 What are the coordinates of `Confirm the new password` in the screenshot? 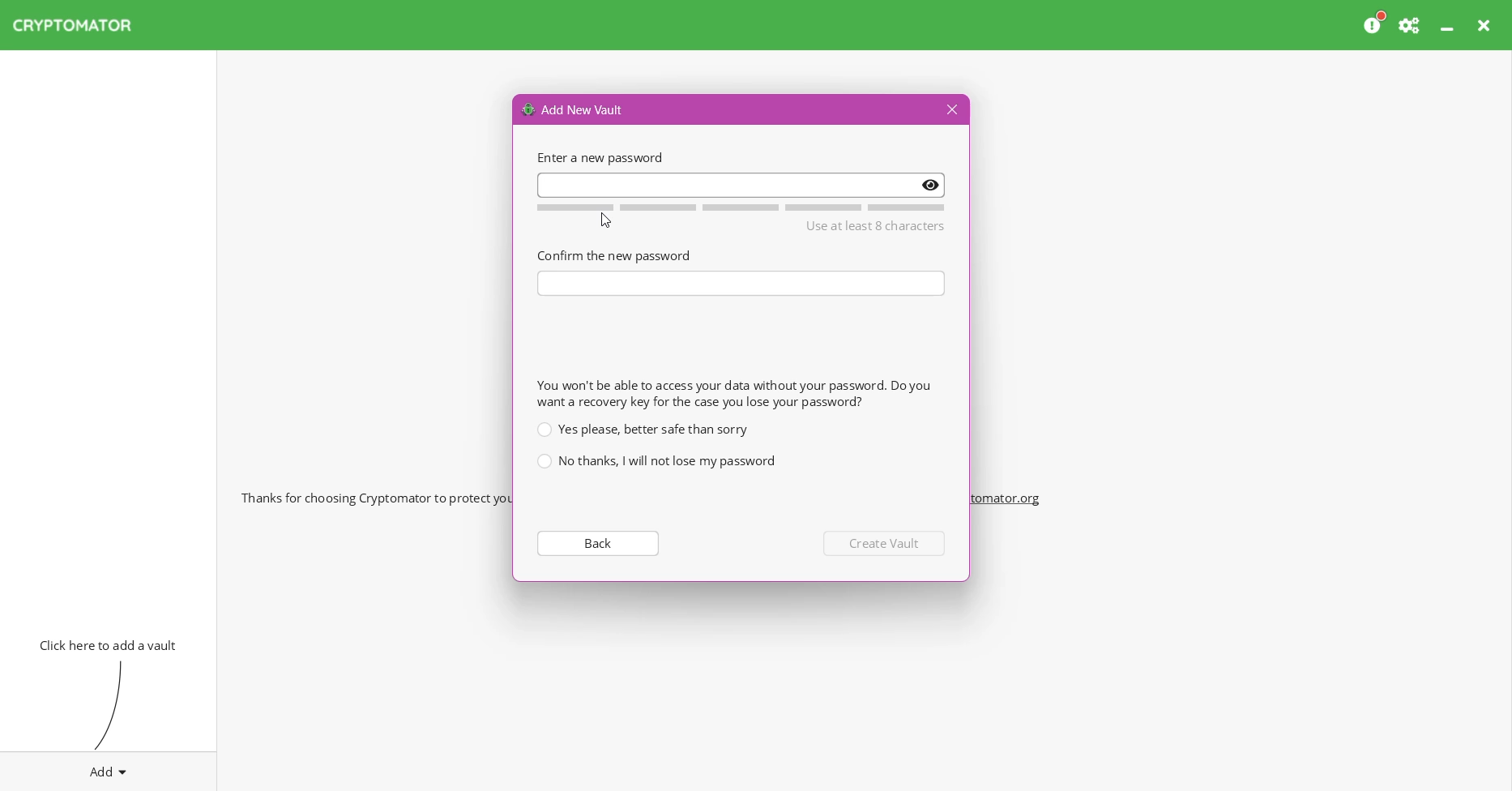 It's located at (613, 254).